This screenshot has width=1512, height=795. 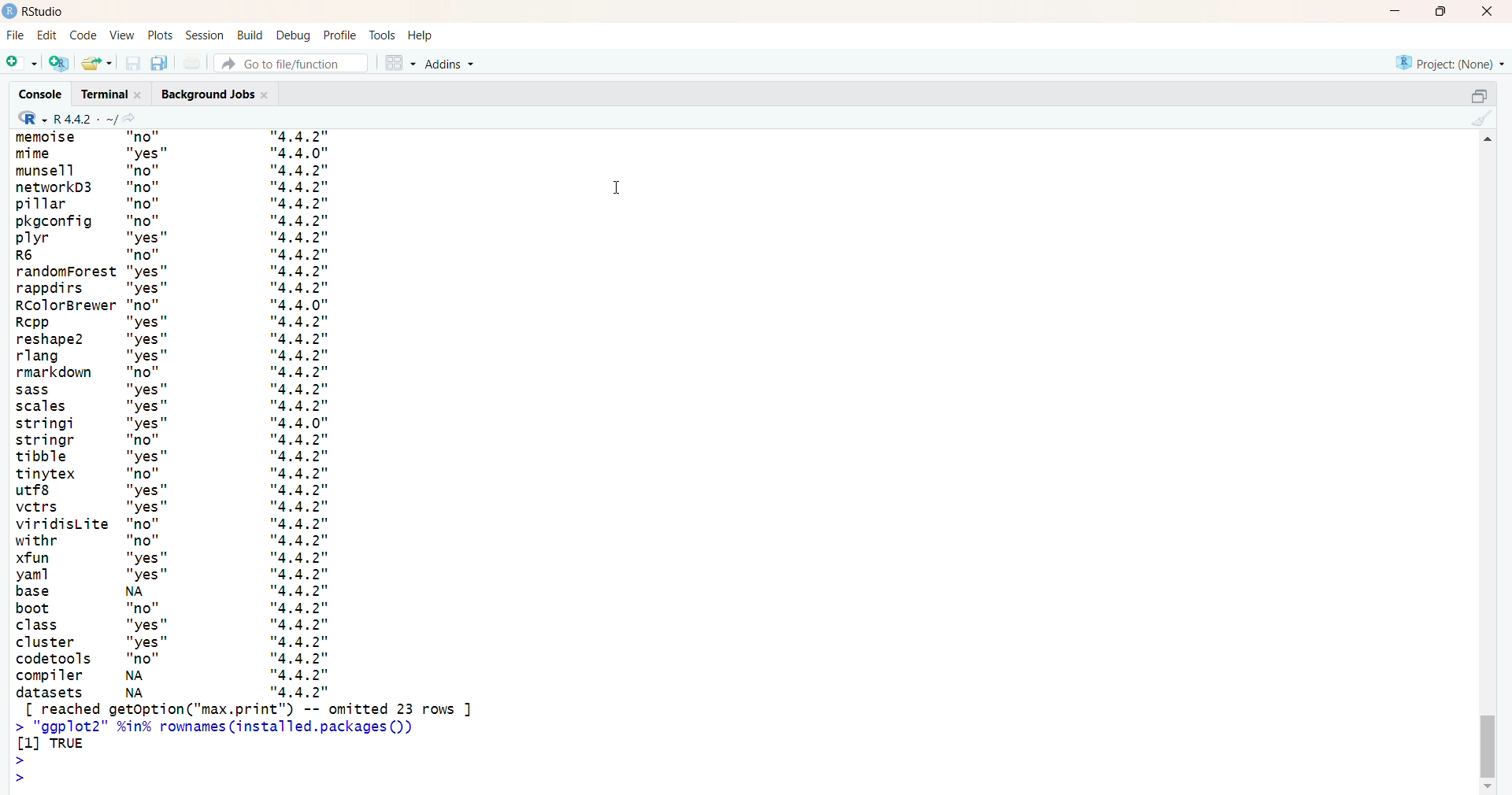 I want to click on debug, so click(x=294, y=35).